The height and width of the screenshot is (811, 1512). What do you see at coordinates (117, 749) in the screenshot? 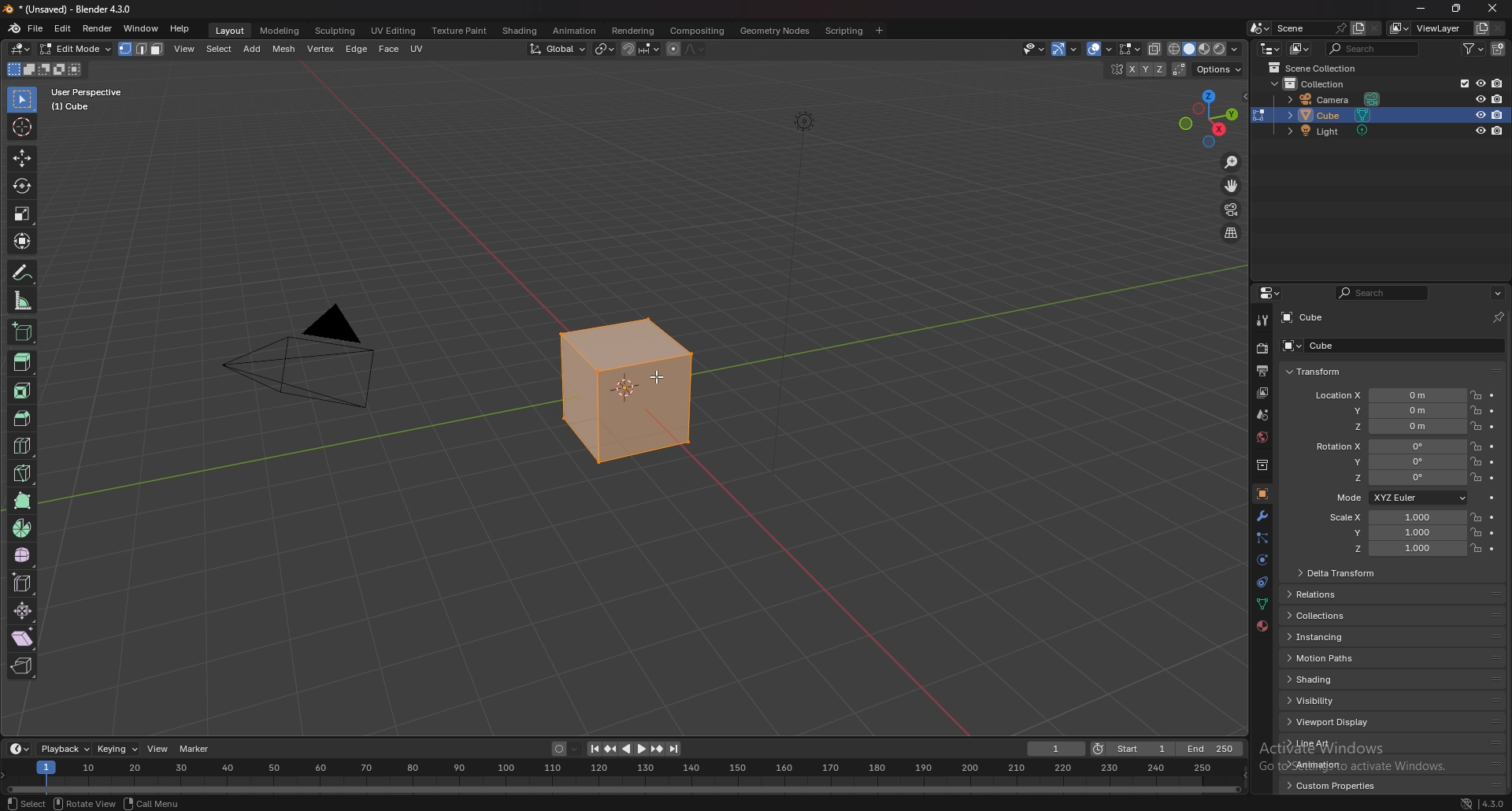
I see `keying` at bounding box center [117, 749].